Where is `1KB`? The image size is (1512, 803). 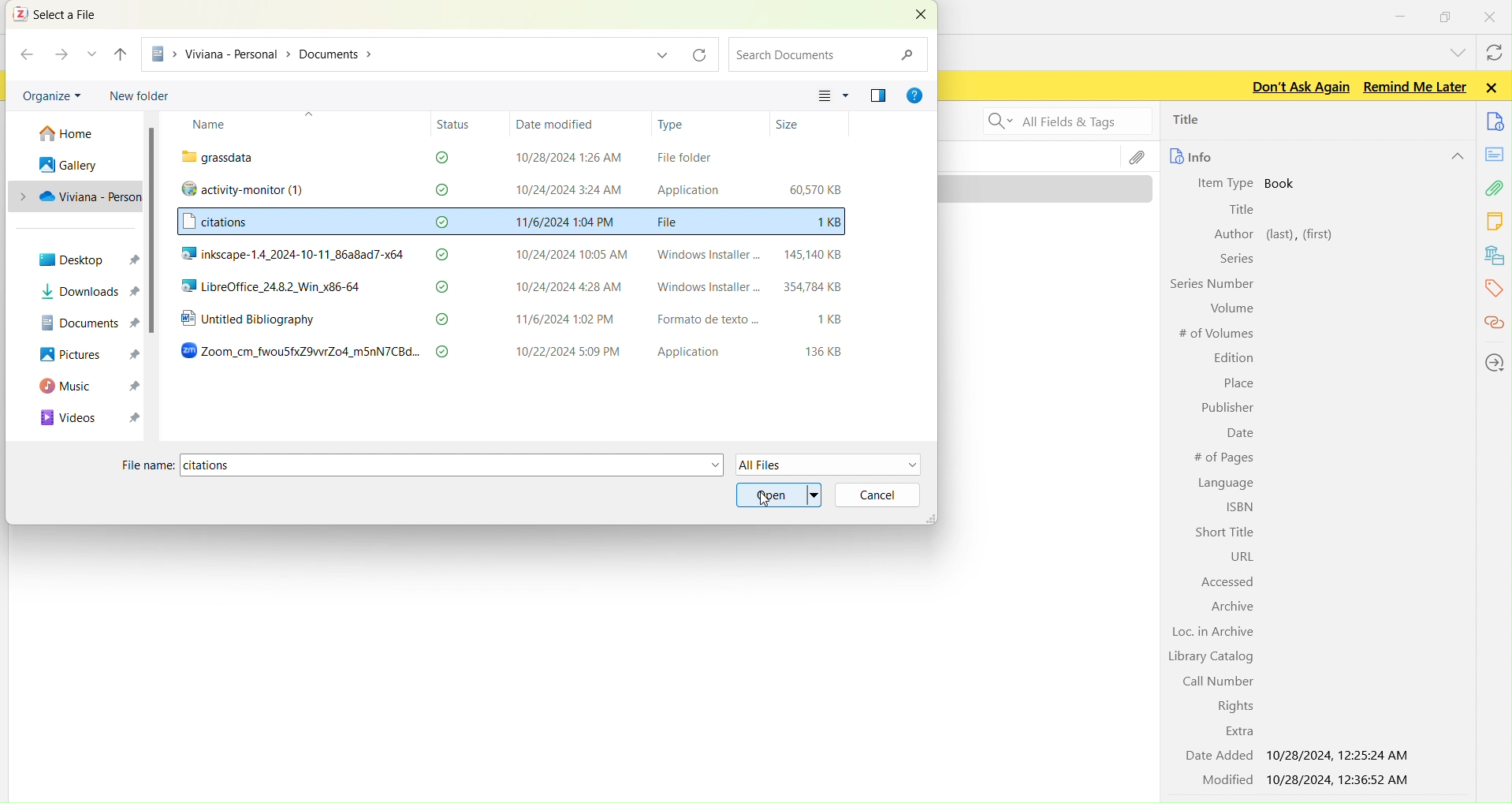
1KB is located at coordinates (830, 319).